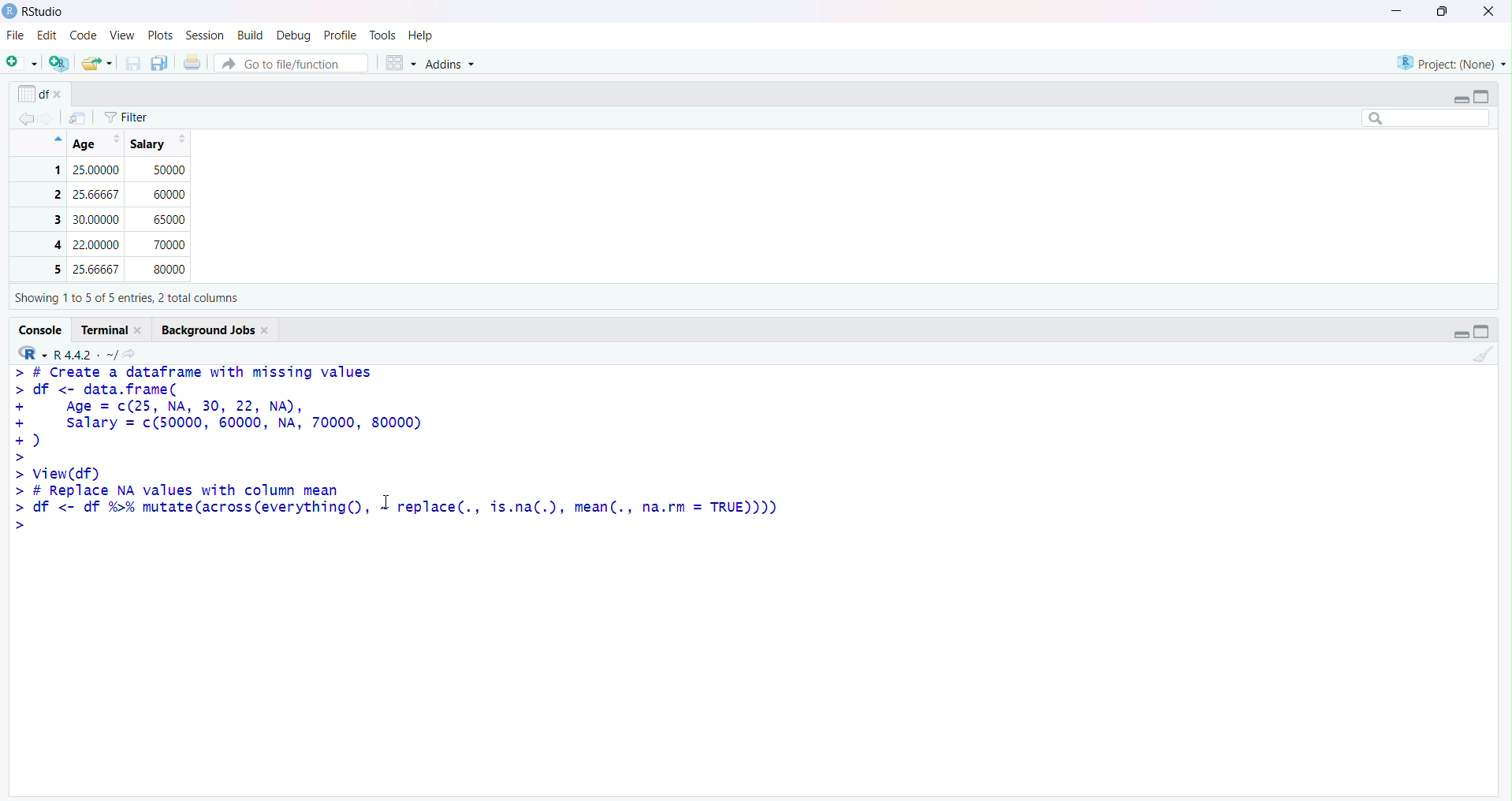 The image size is (1512, 801). What do you see at coordinates (158, 35) in the screenshot?
I see `Plots` at bounding box center [158, 35].